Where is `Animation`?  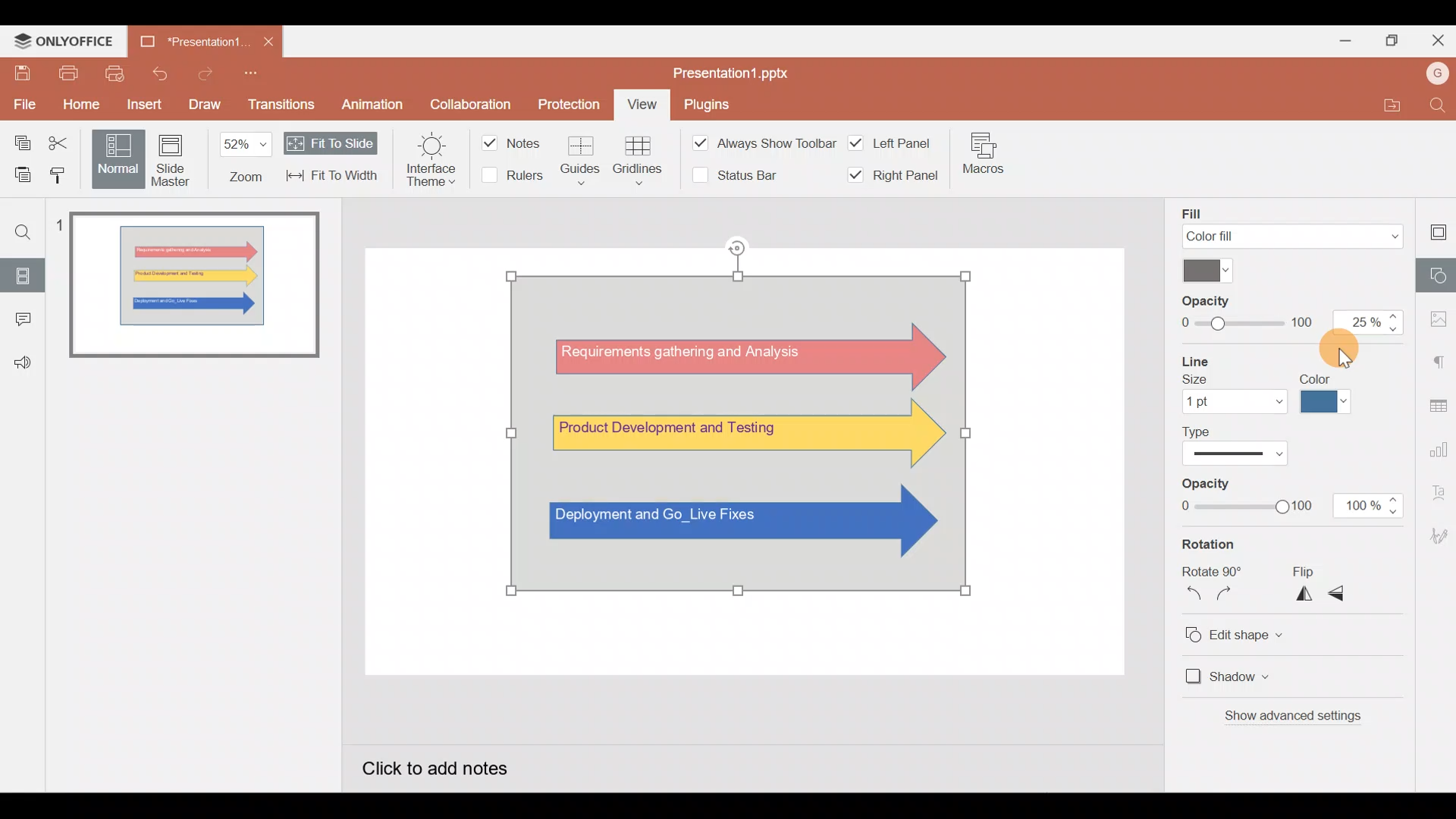 Animation is located at coordinates (374, 102).